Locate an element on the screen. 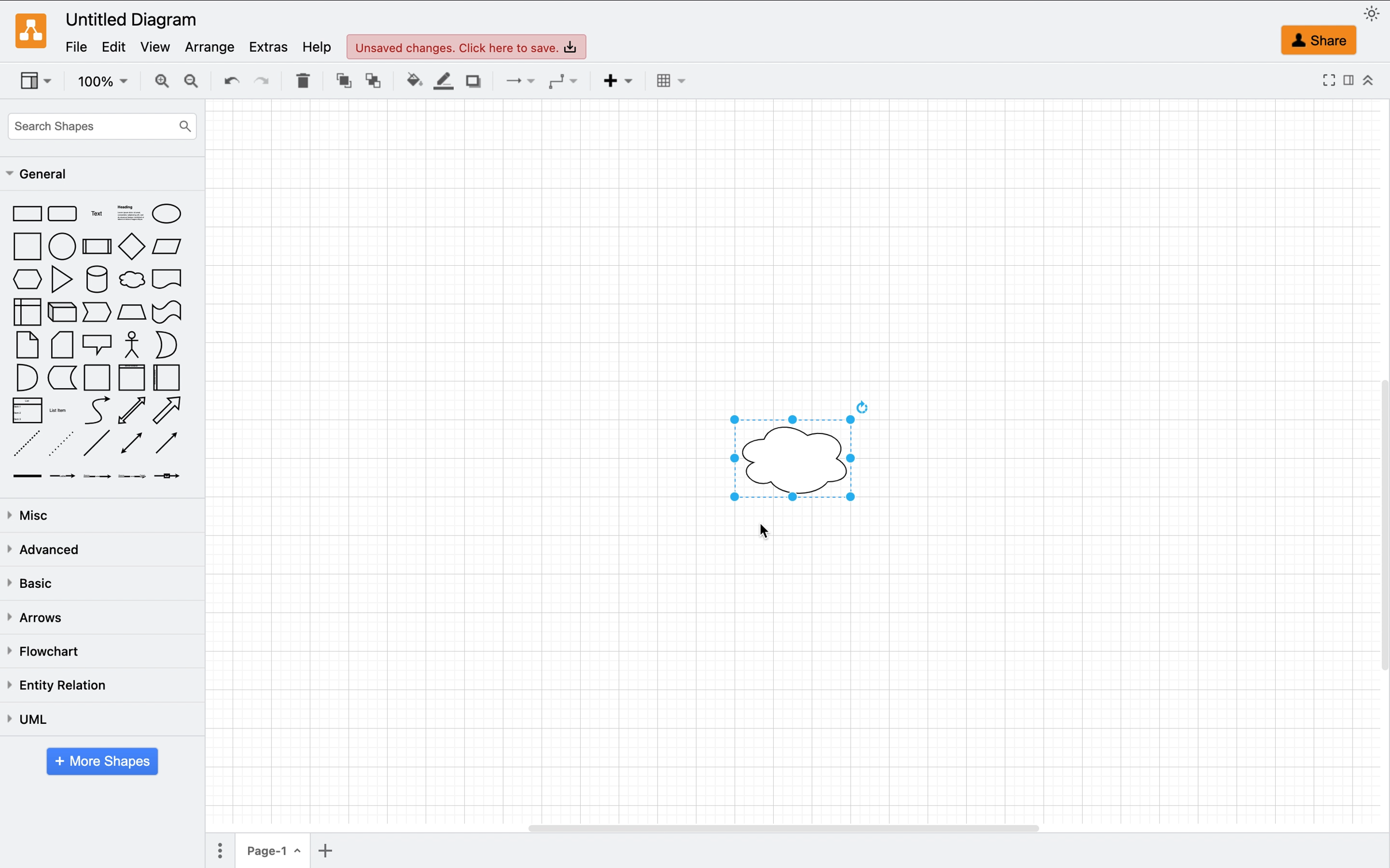 The width and height of the screenshot is (1390, 868). draw.io logo is located at coordinates (33, 29).